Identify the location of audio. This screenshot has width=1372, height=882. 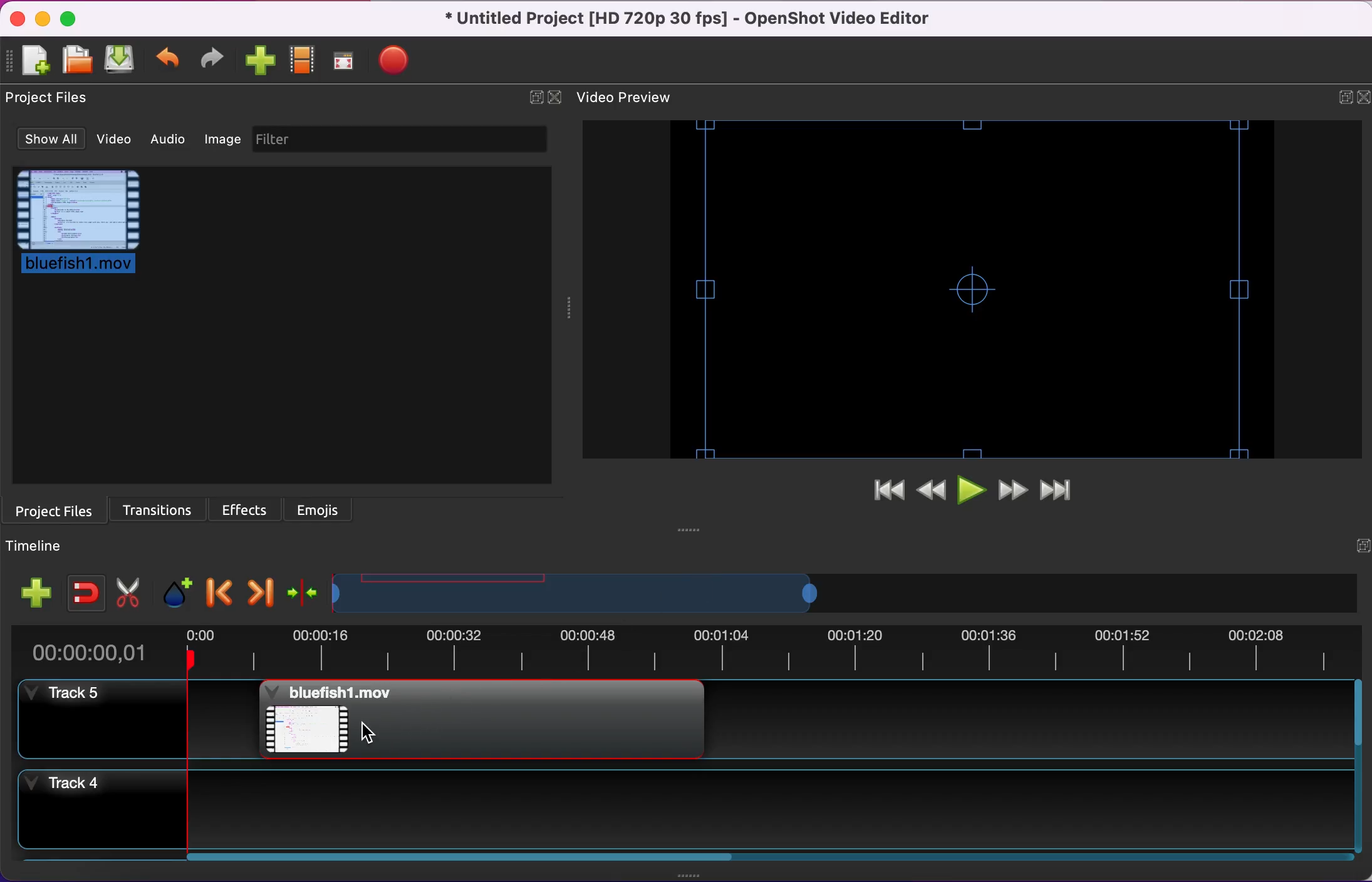
(163, 140).